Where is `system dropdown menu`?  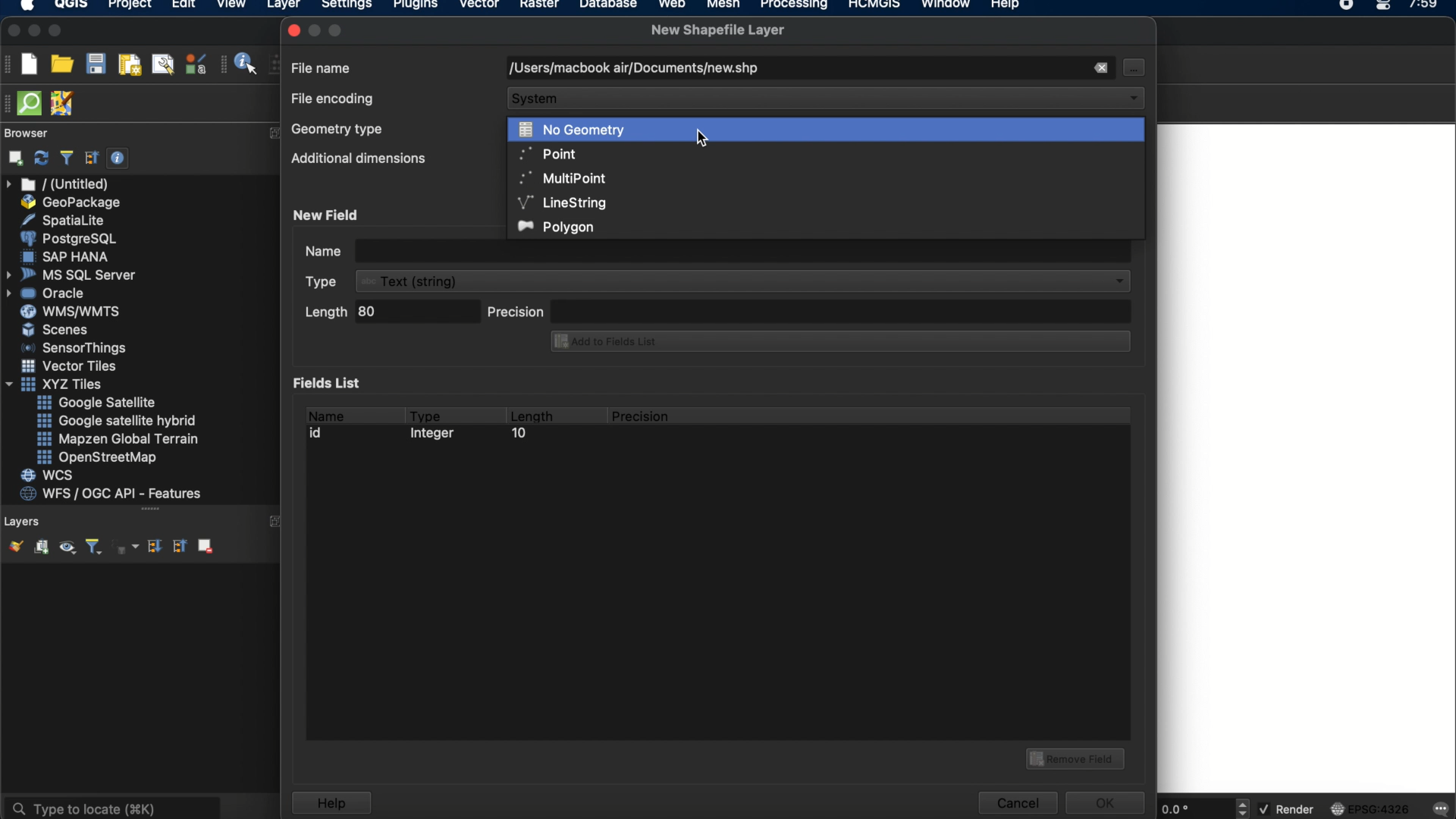
system dropdown menu is located at coordinates (827, 100).